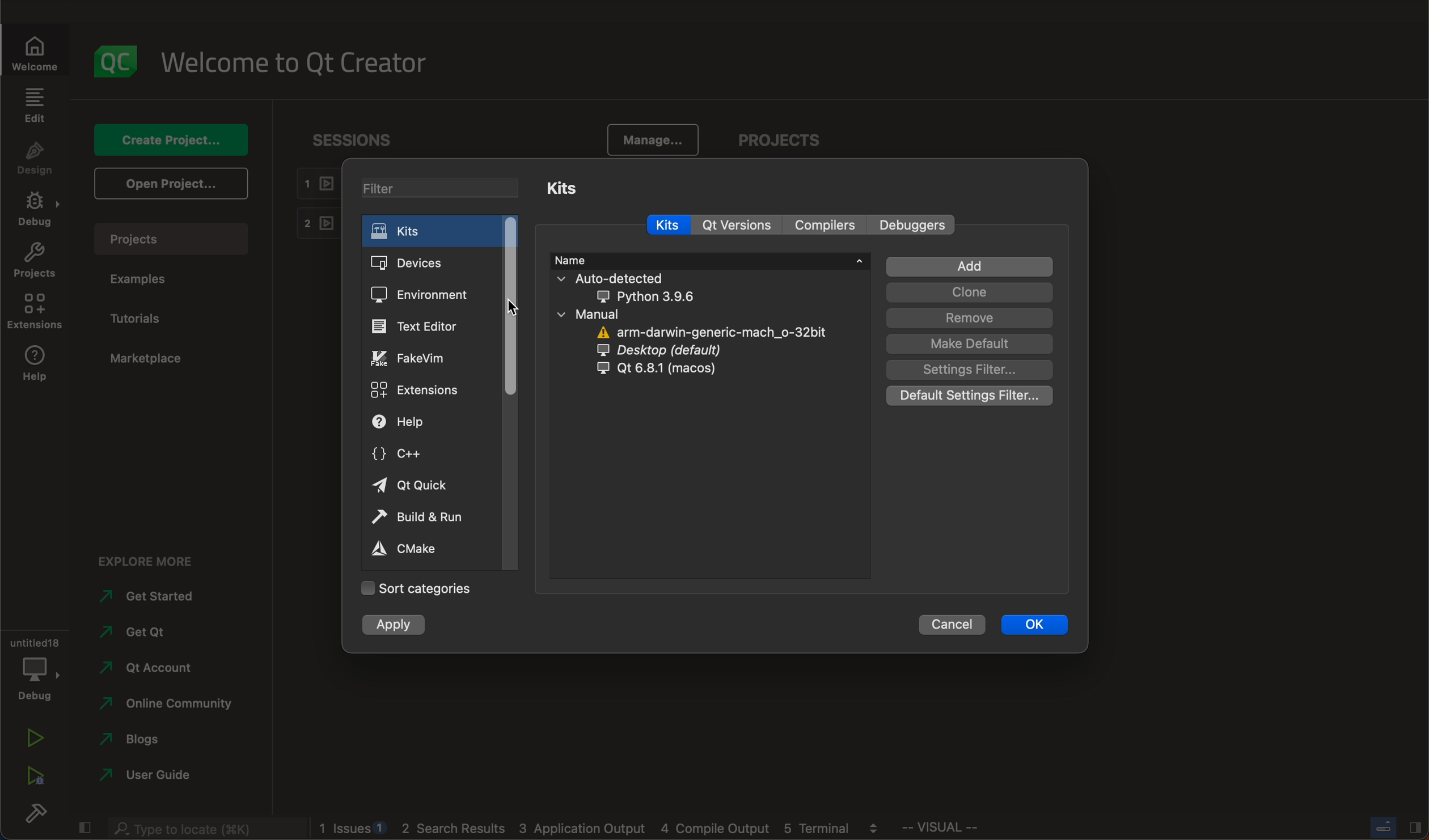 This screenshot has height=840, width=1429. What do you see at coordinates (710, 260) in the screenshot?
I see `name` at bounding box center [710, 260].